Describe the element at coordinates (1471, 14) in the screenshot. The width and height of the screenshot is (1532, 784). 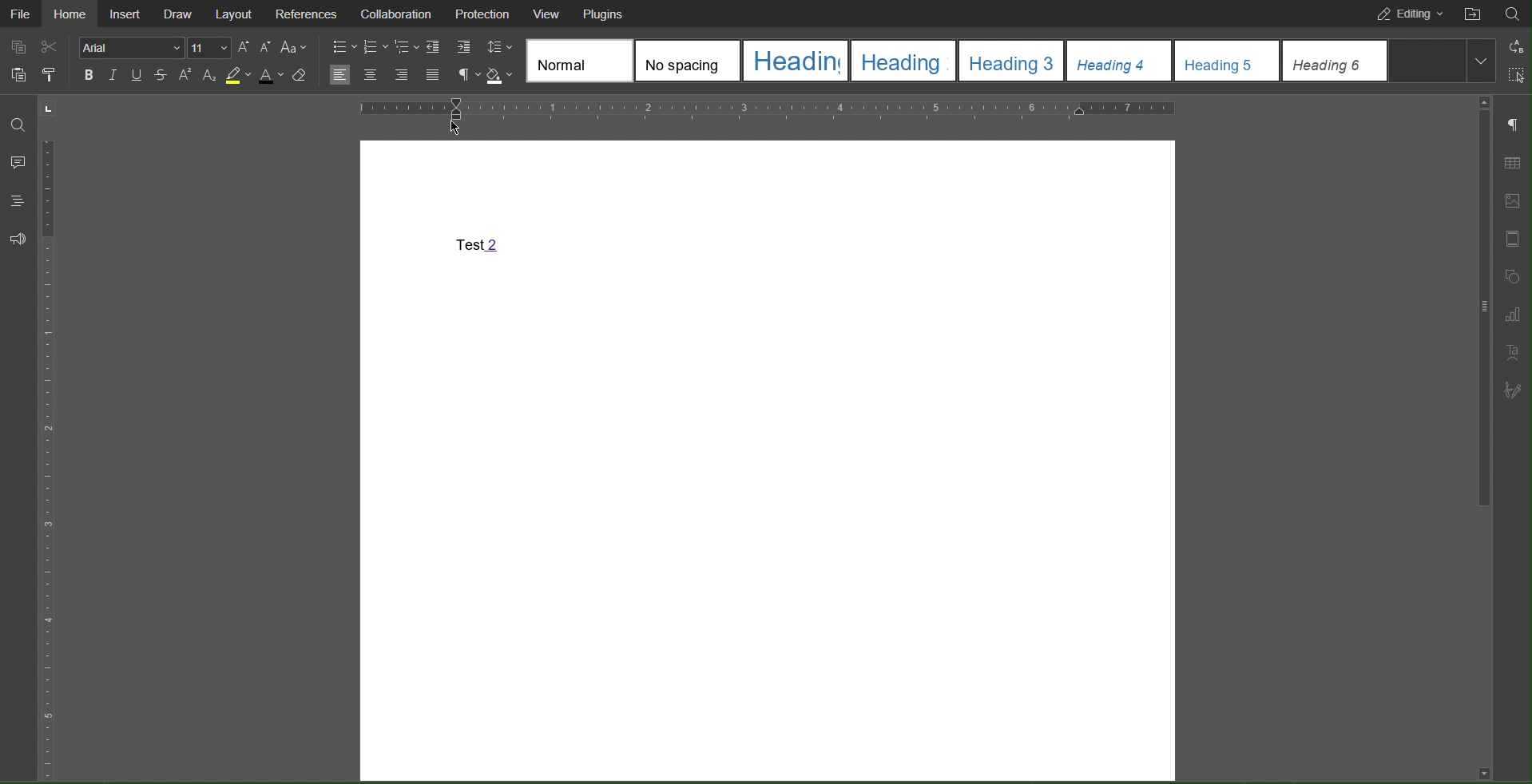
I see `Open File Location` at that location.